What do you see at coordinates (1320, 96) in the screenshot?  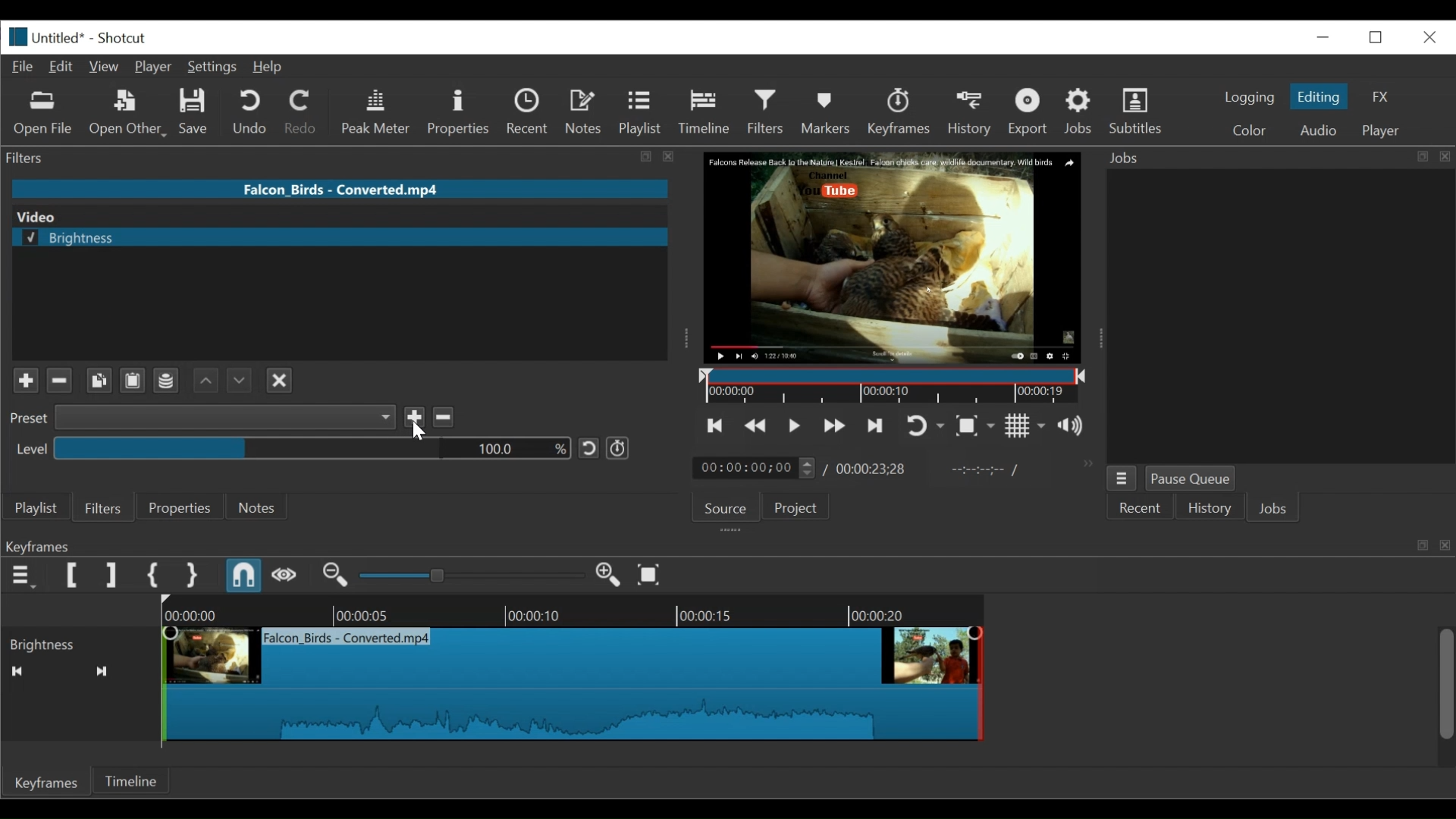 I see `Editing` at bounding box center [1320, 96].